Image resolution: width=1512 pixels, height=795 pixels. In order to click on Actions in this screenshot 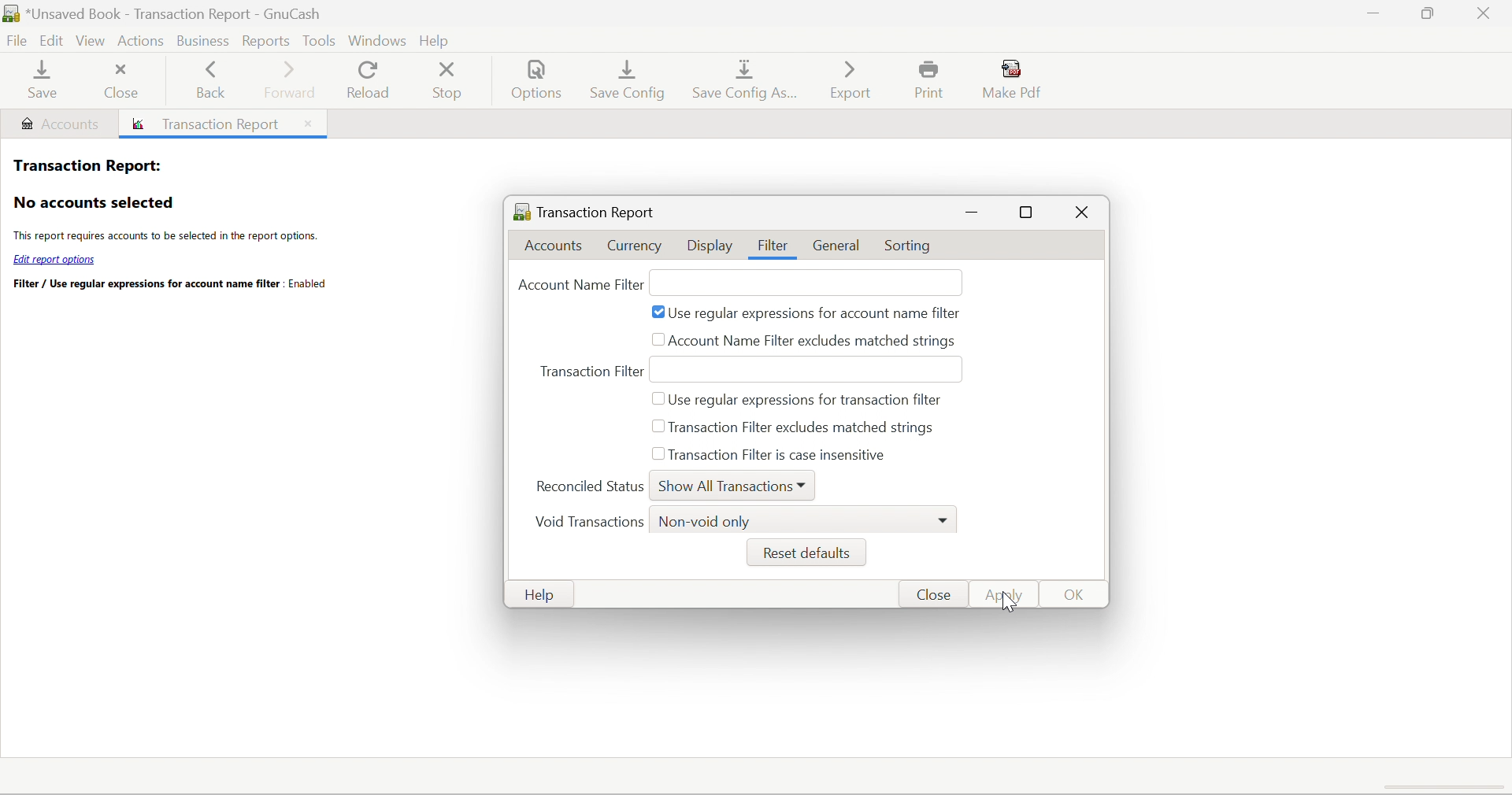, I will do `click(141, 39)`.